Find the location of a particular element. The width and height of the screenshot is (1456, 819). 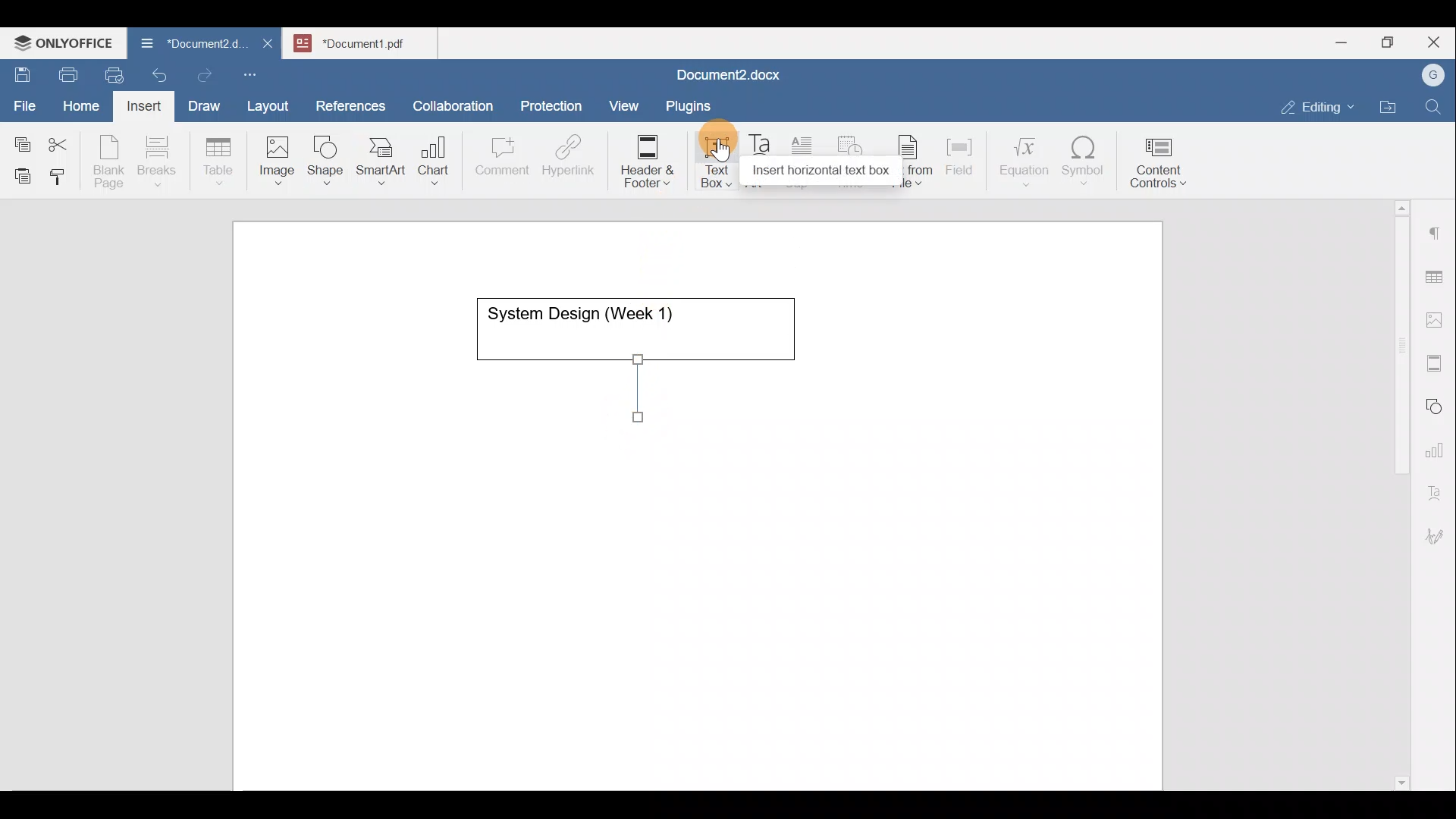

Copy style is located at coordinates (63, 173).